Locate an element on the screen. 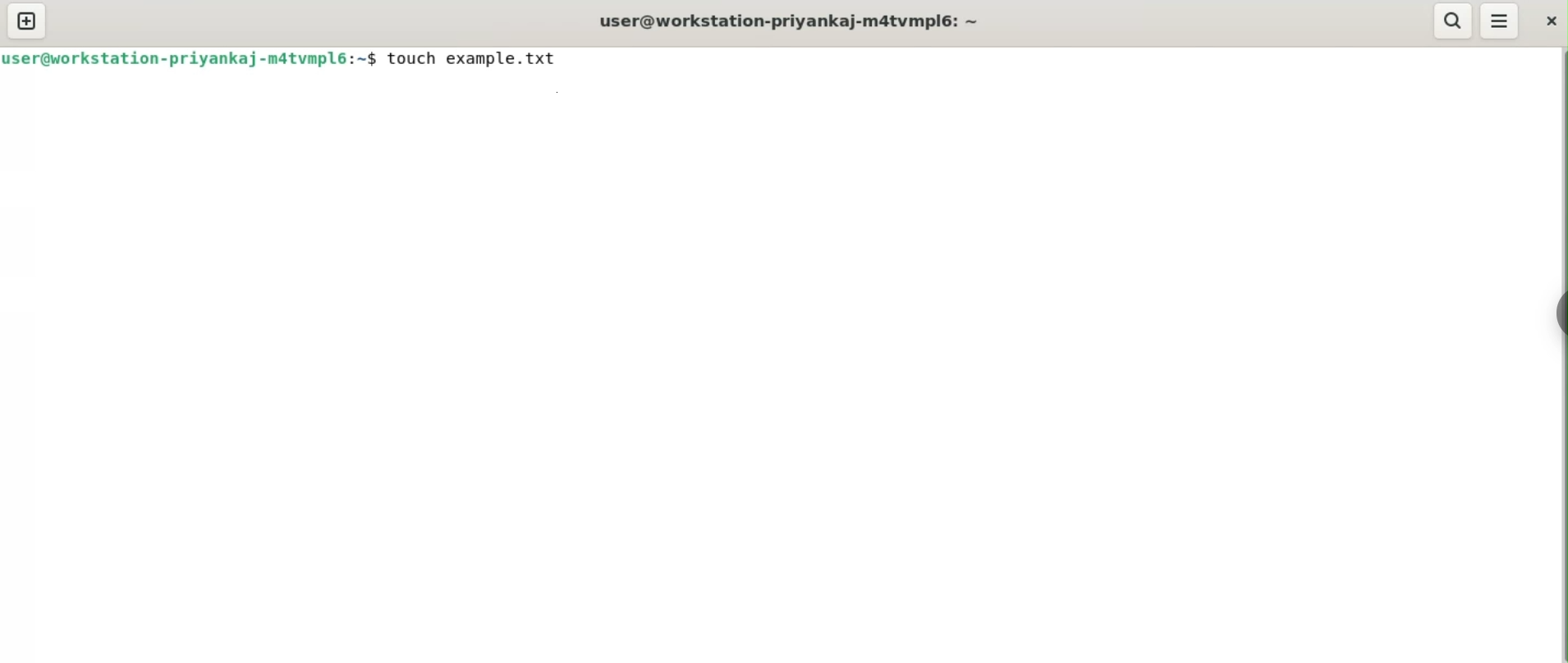 Image resolution: width=1568 pixels, height=663 pixels. new tab is located at coordinates (28, 22).